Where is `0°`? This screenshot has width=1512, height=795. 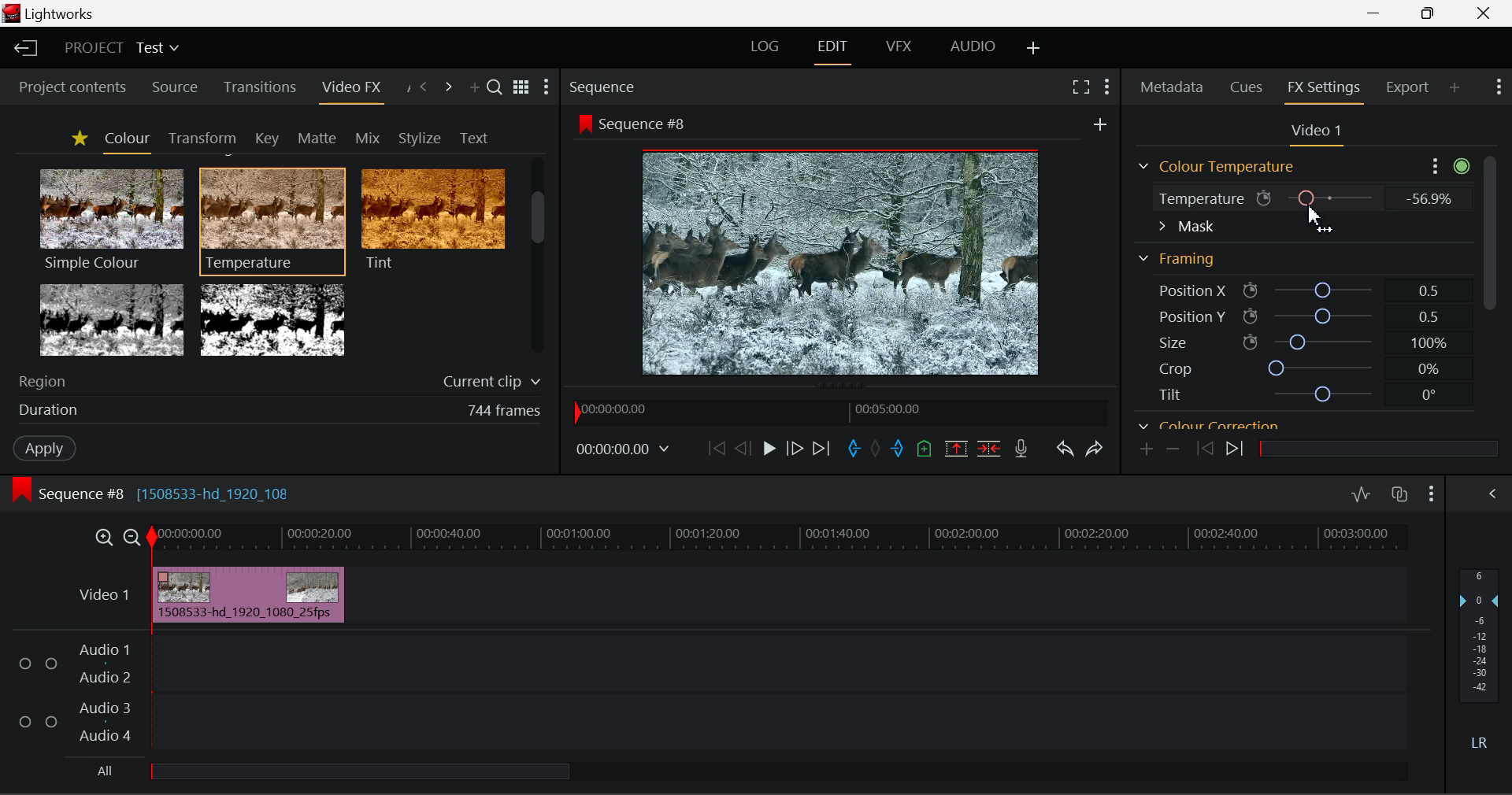
0° is located at coordinates (1430, 395).